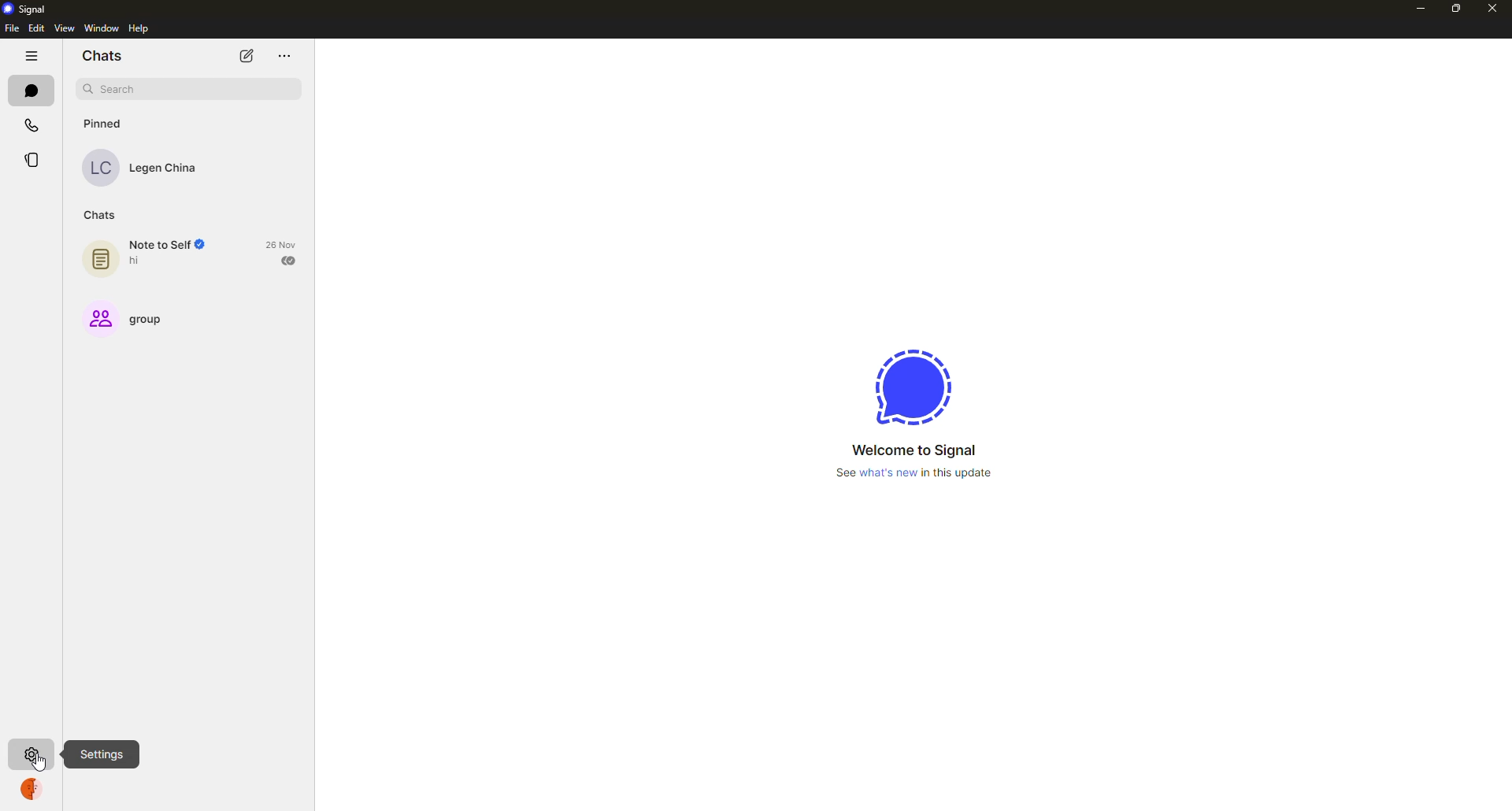 This screenshot has height=811, width=1512. I want to click on Verified, so click(206, 246).